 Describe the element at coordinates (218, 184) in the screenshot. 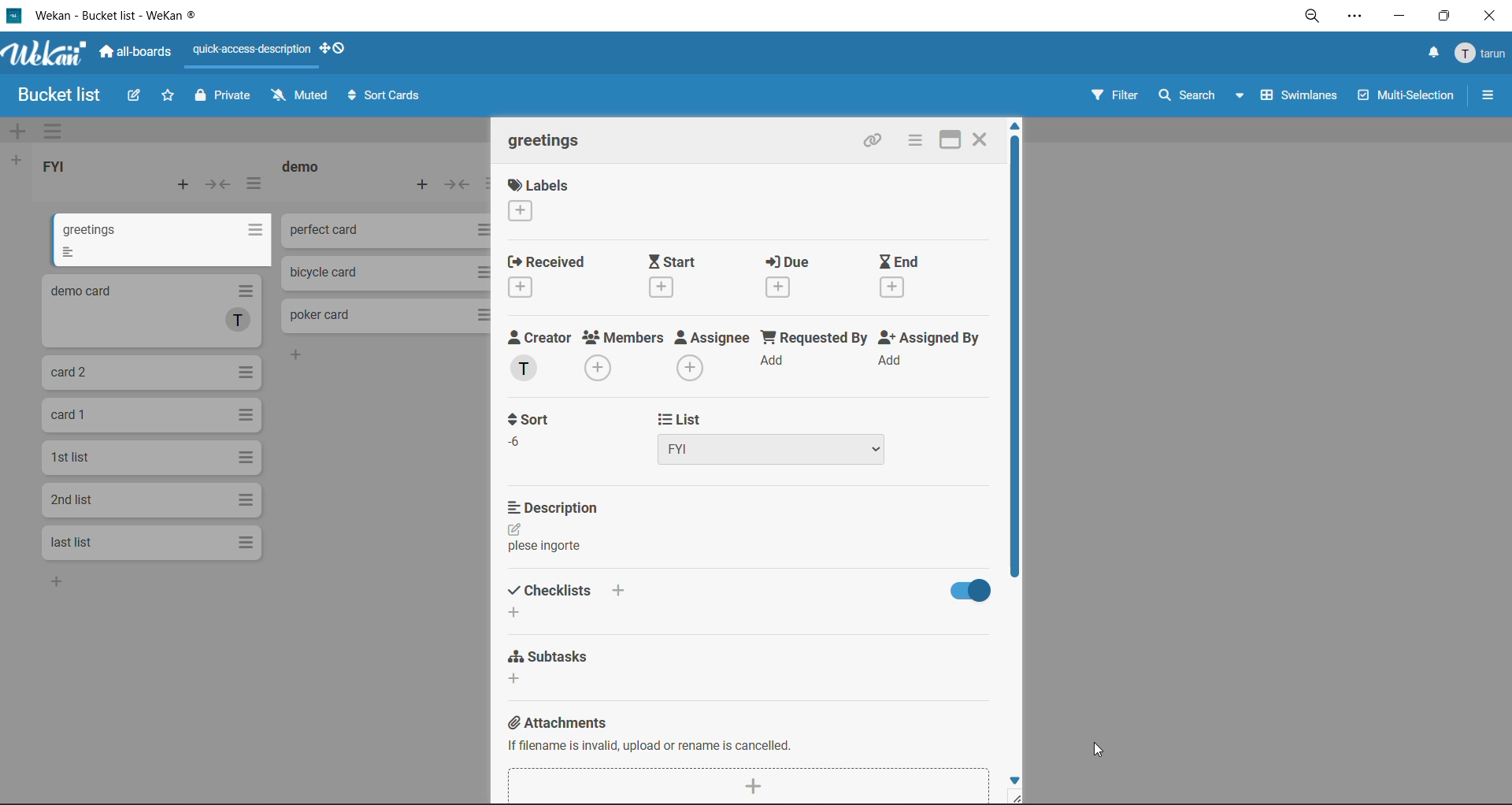

I see `collapse` at that location.